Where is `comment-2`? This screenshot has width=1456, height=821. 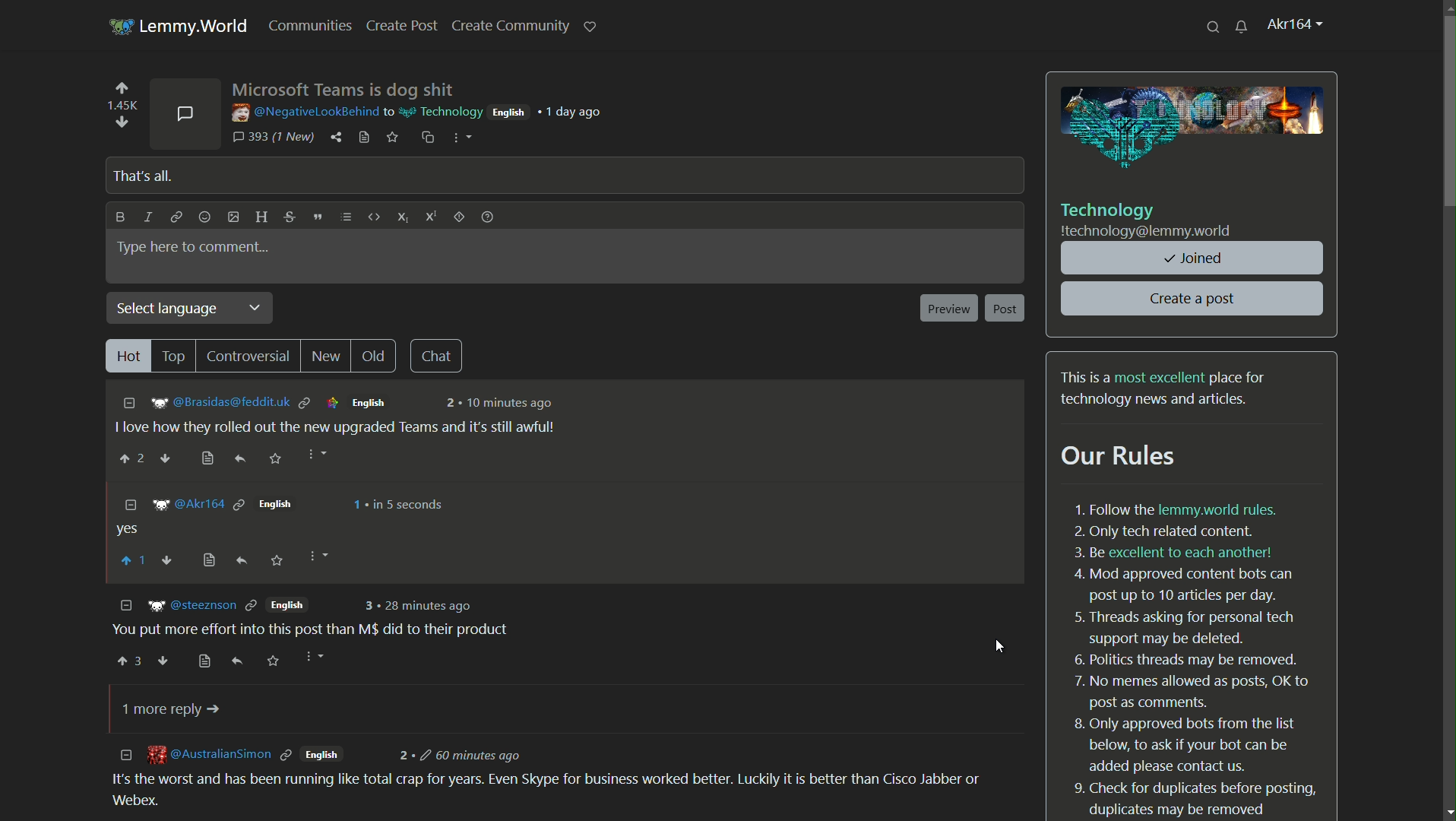 comment-2 is located at coordinates (314, 614).